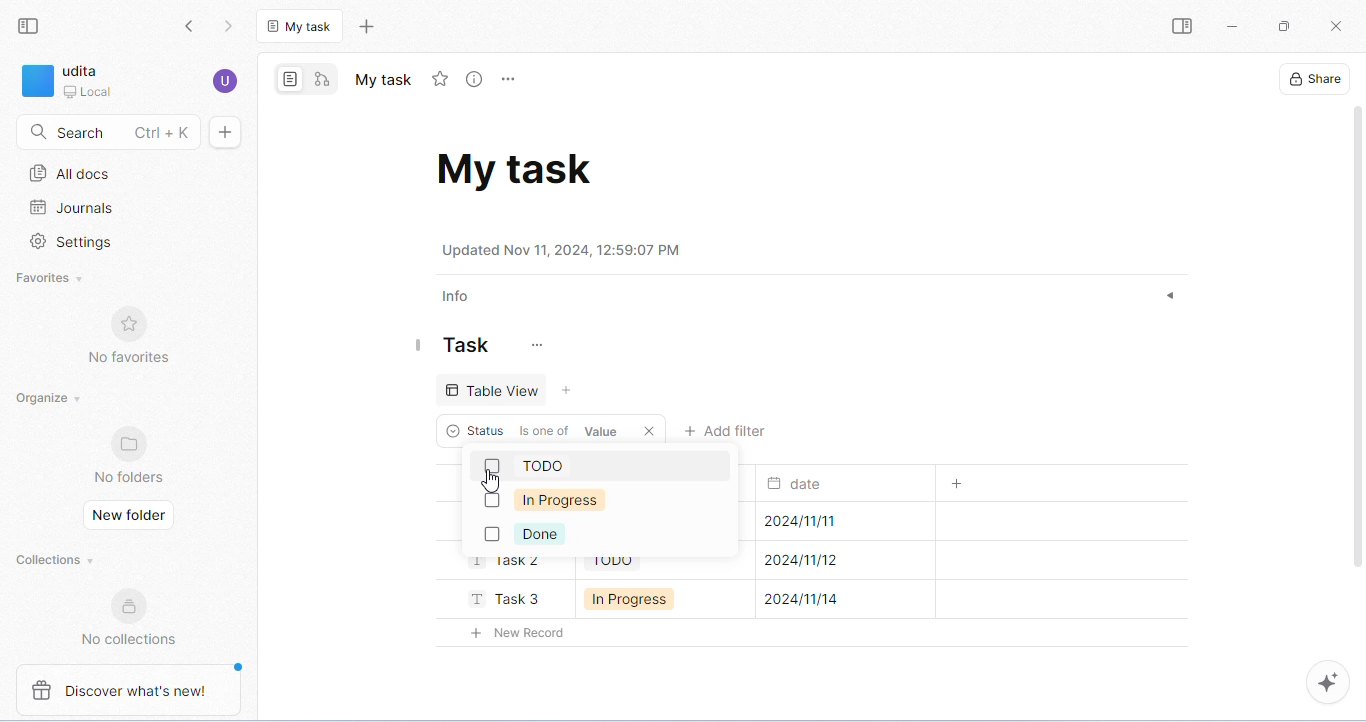 This screenshot has width=1366, height=722. Describe the element at coordinates (571, 391) in the screenshot. I see `add view` at that location.